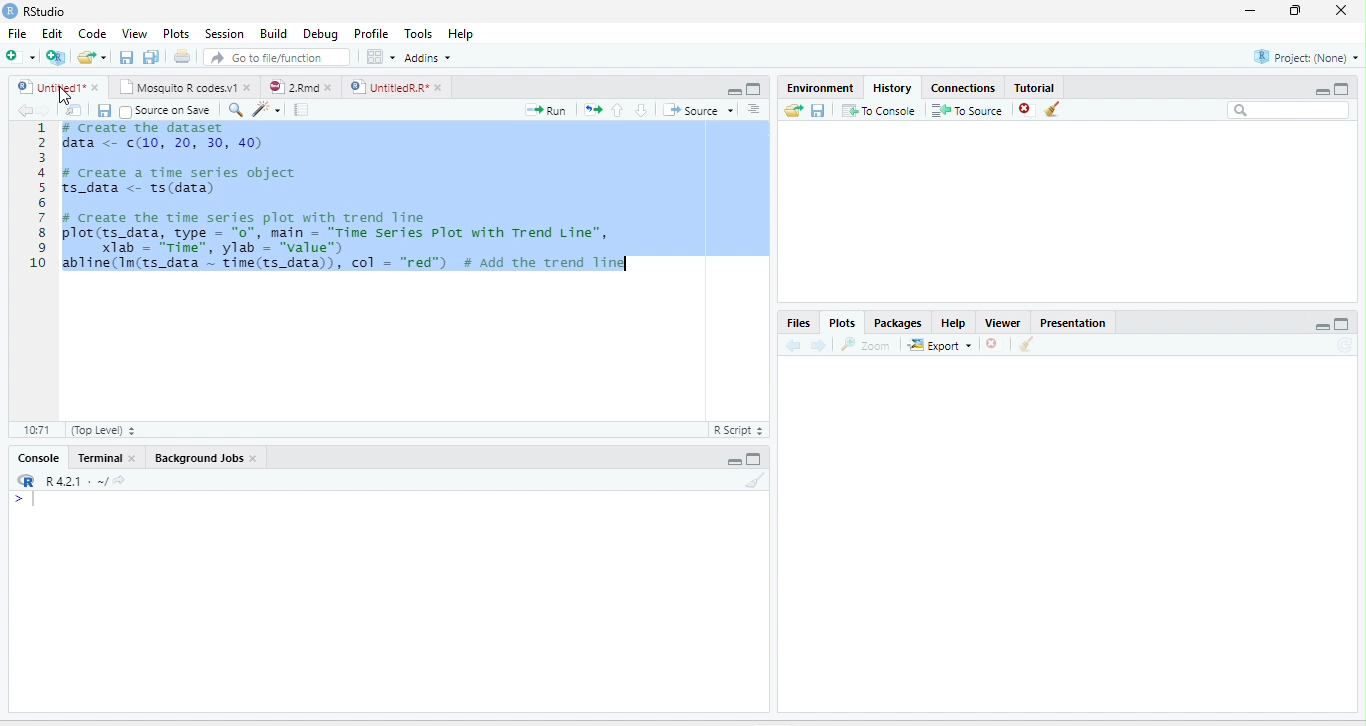  What do you see at coordinates (964, 86) in the screenshot?
I see `Connections` at bounding box center [964, 86].